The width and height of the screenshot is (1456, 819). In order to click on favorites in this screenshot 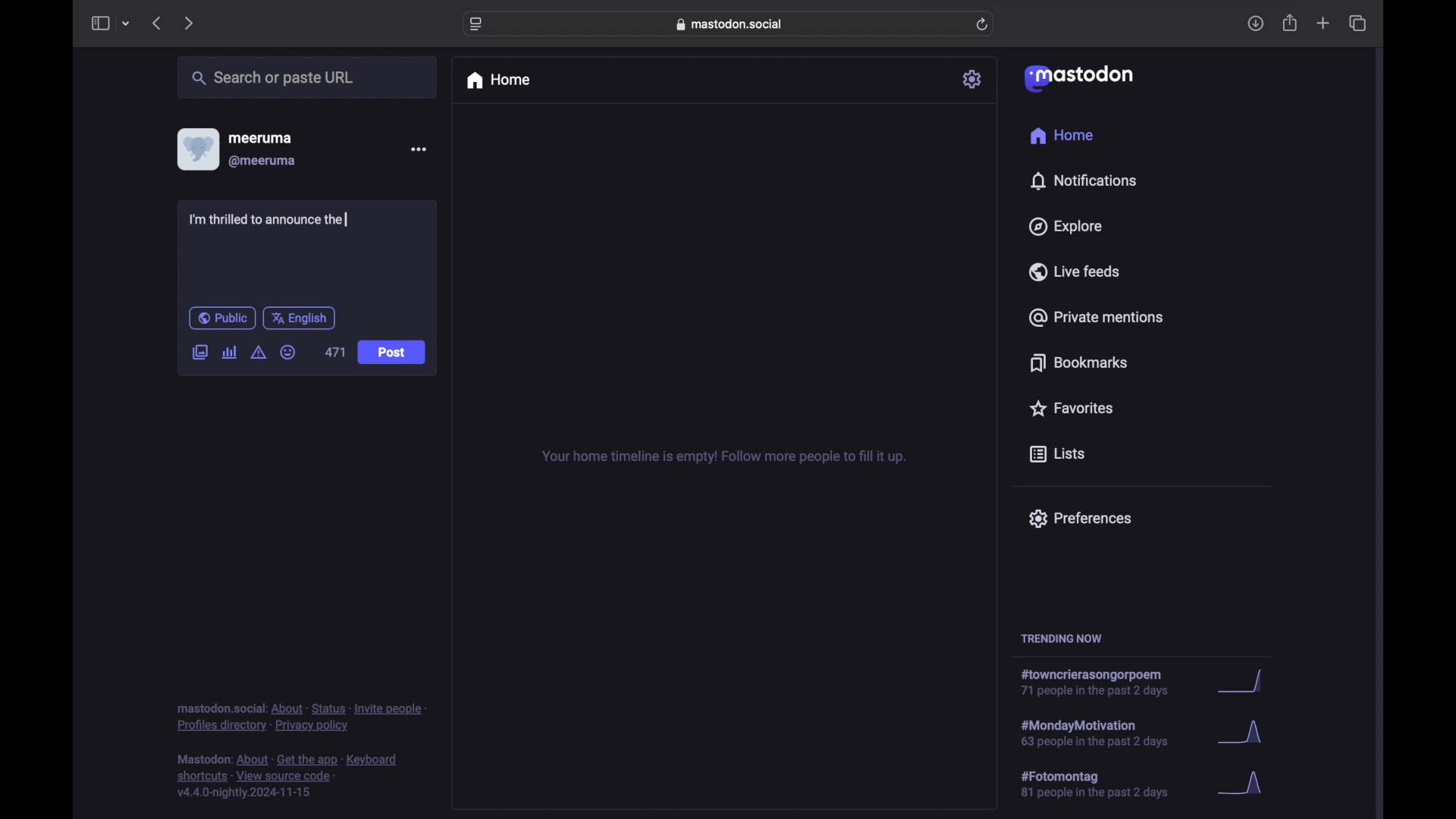, I will do `click(1071, 408)`.